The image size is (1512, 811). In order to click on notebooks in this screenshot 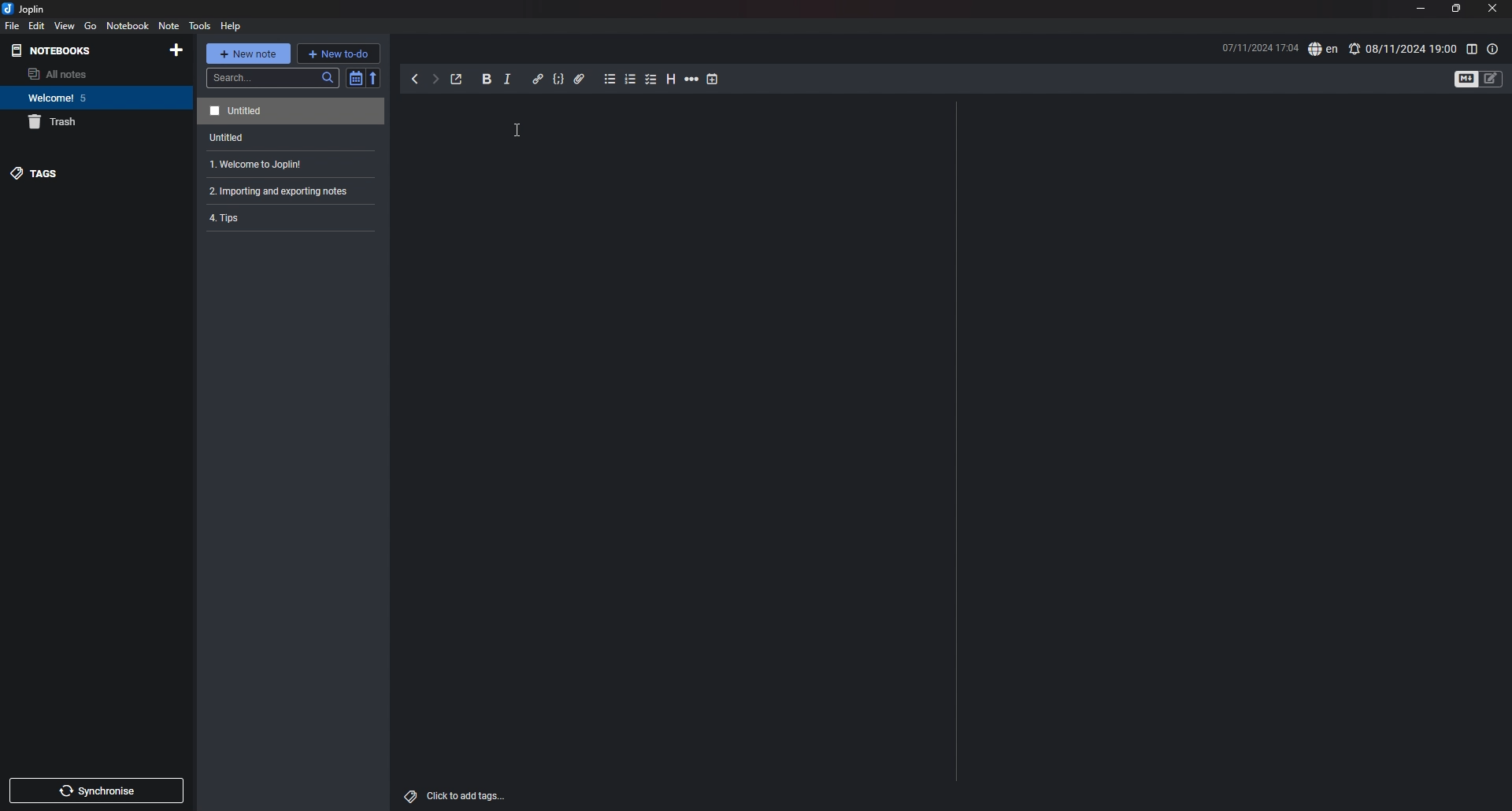, I will do `click(66, 50)`.